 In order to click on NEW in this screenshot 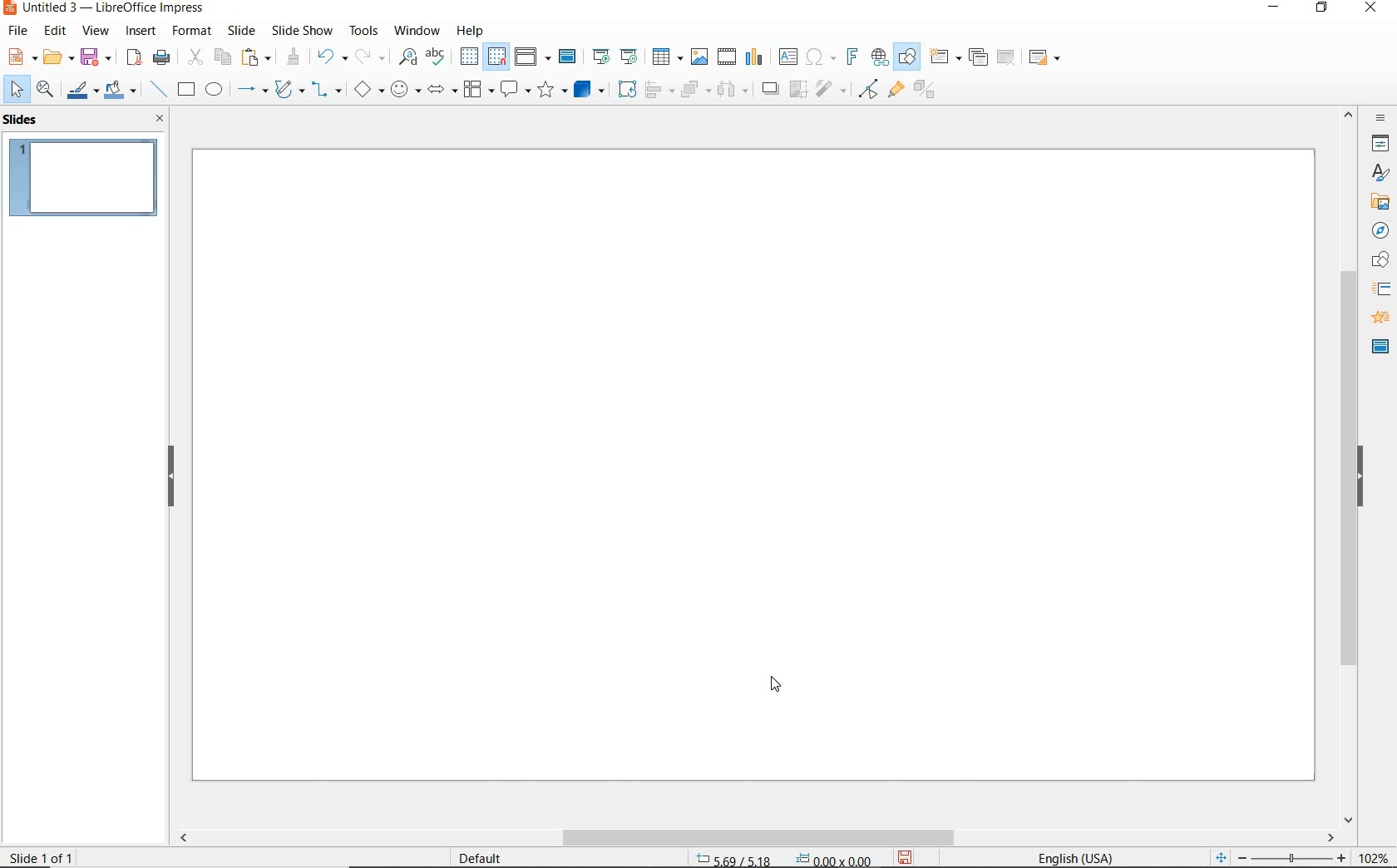, I will do `click(19, 56)`.